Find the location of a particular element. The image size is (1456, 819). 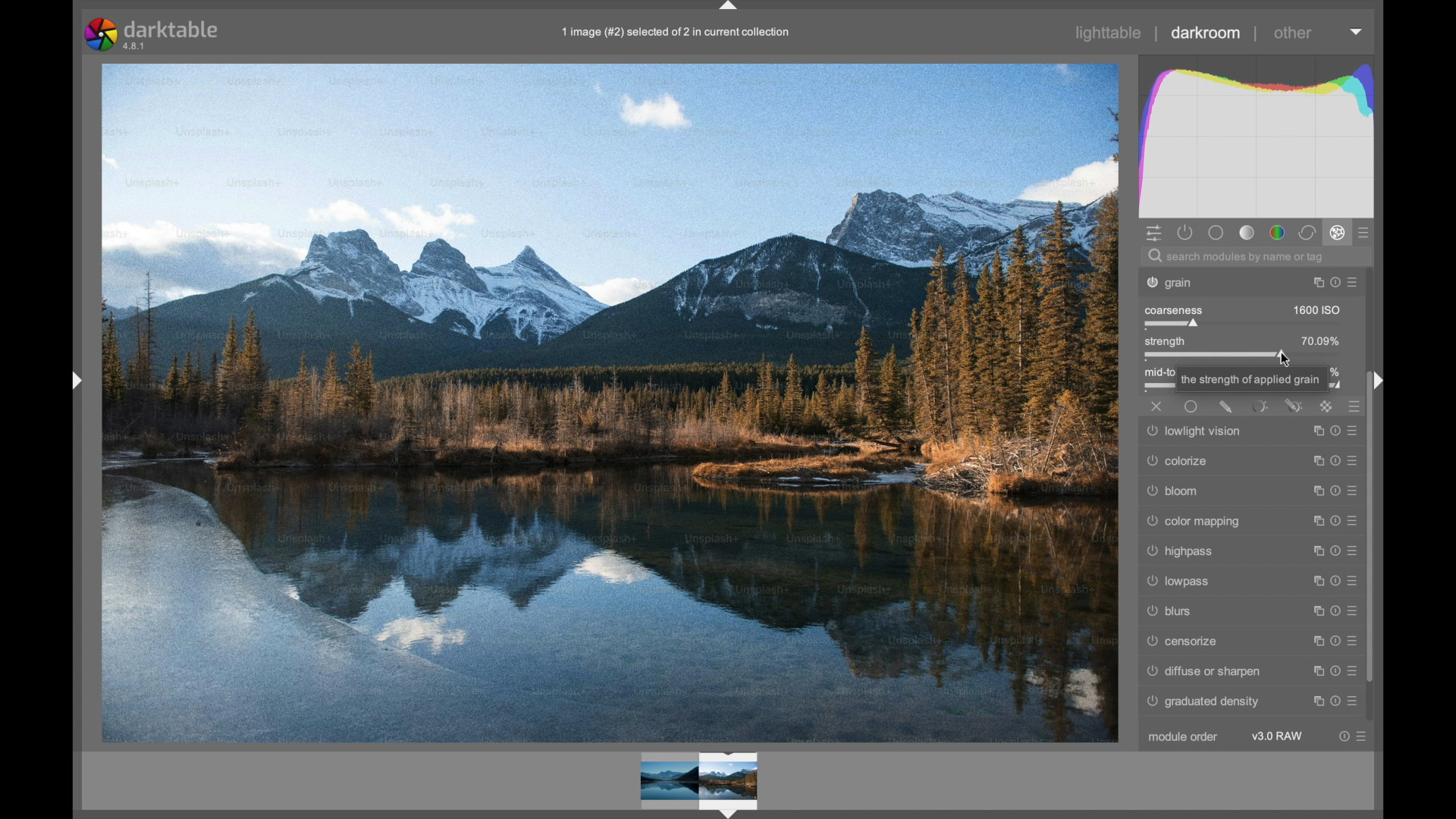

lighttable is located at coordinates (1109, 33).